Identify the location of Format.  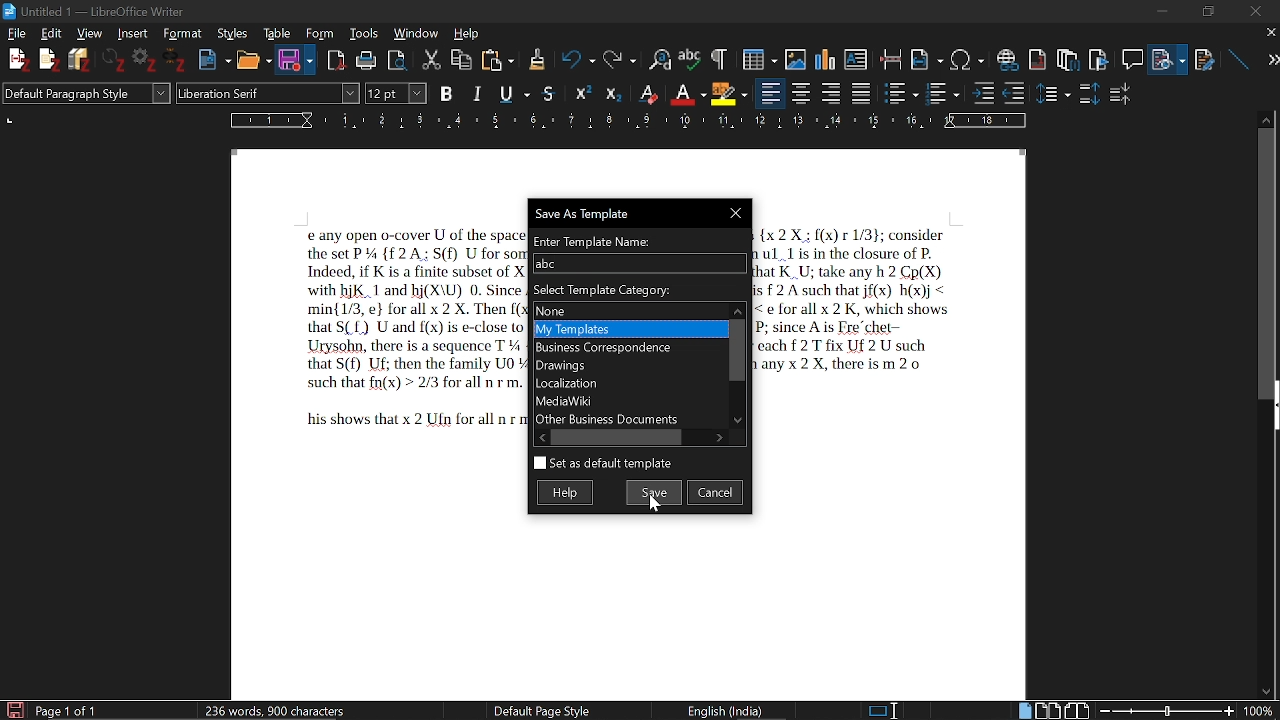
(180, 33).